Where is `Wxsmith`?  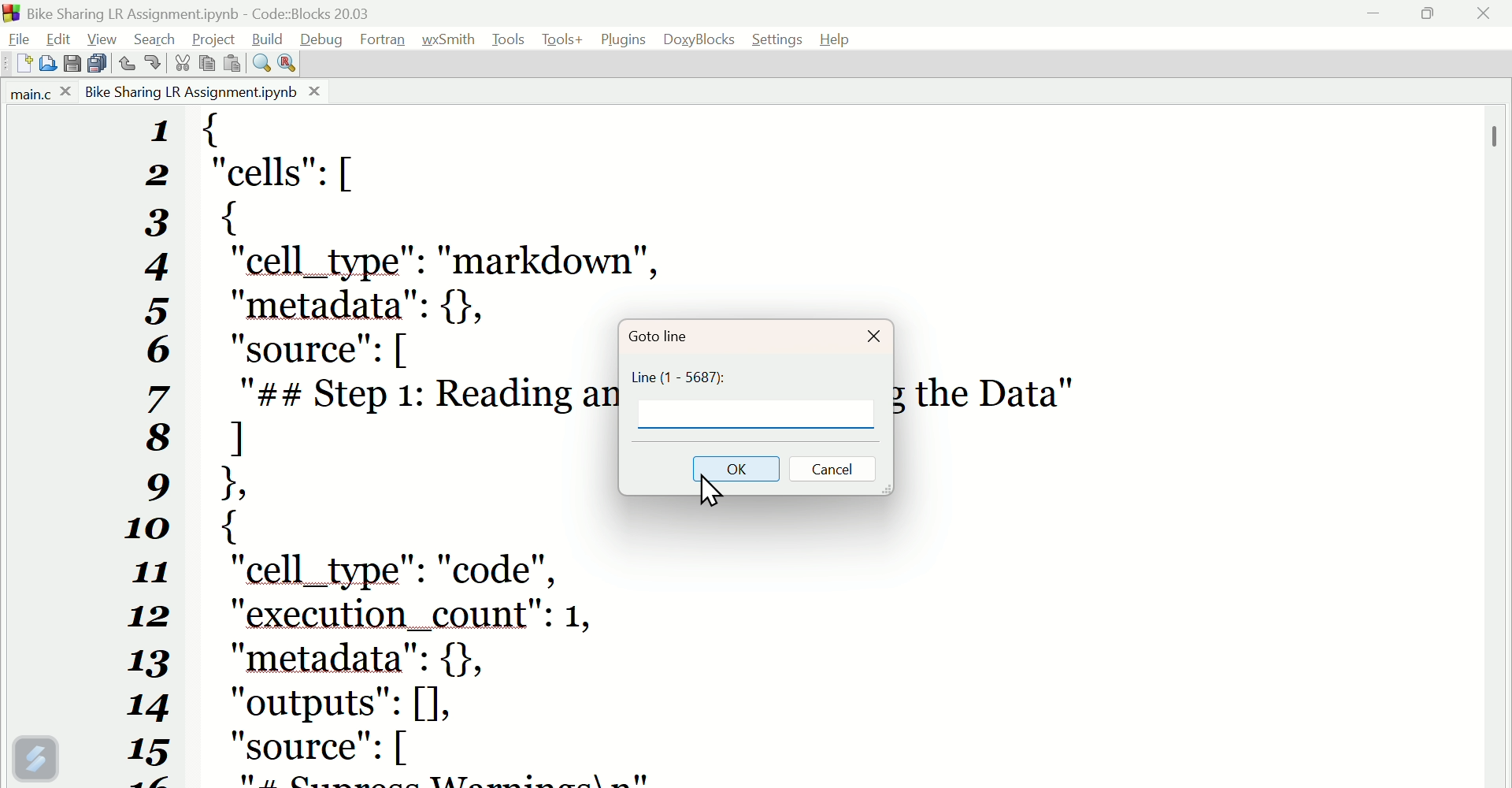 Wxsmith is located at coordinates (449, 39).